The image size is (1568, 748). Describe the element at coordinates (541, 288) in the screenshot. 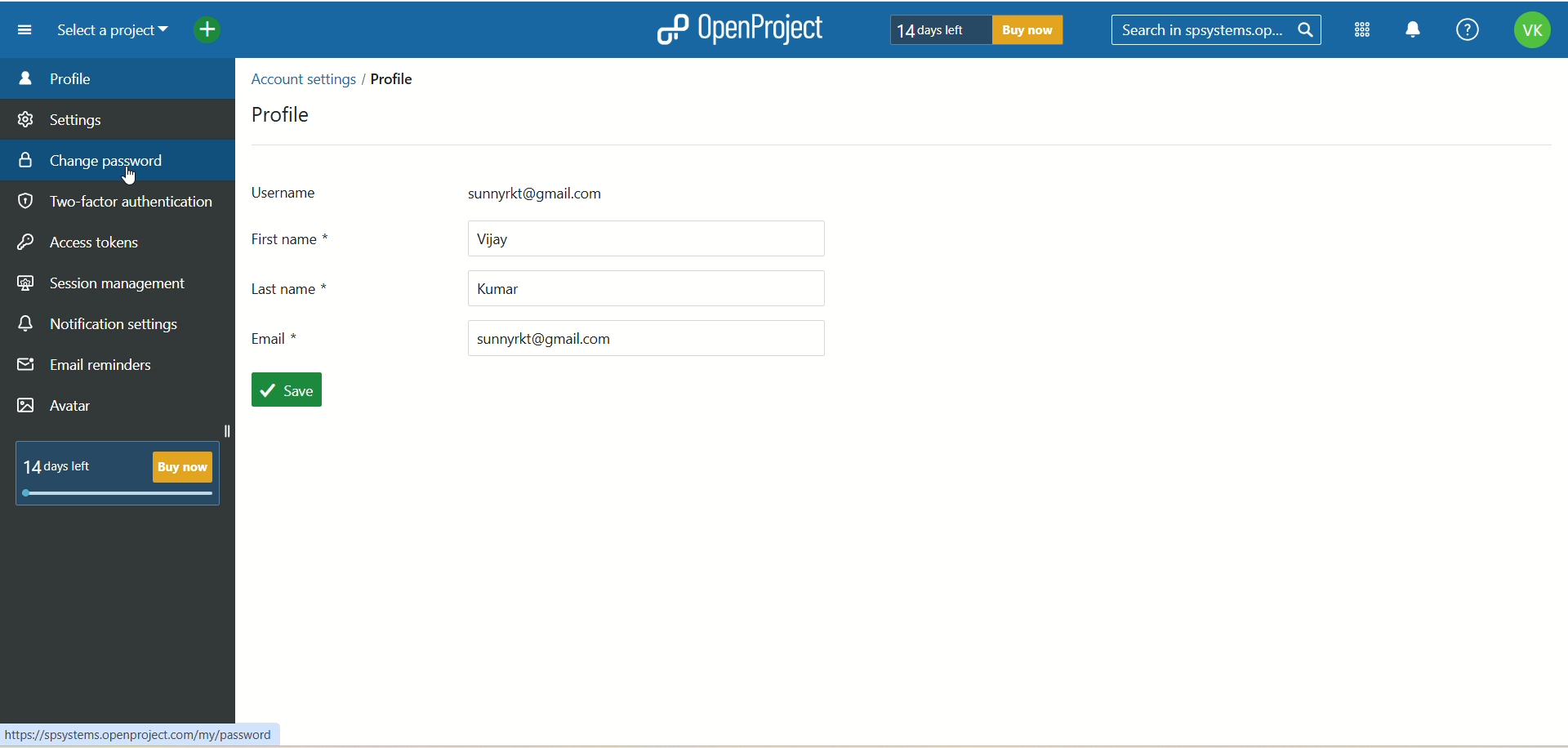

I see `last name` at that location.